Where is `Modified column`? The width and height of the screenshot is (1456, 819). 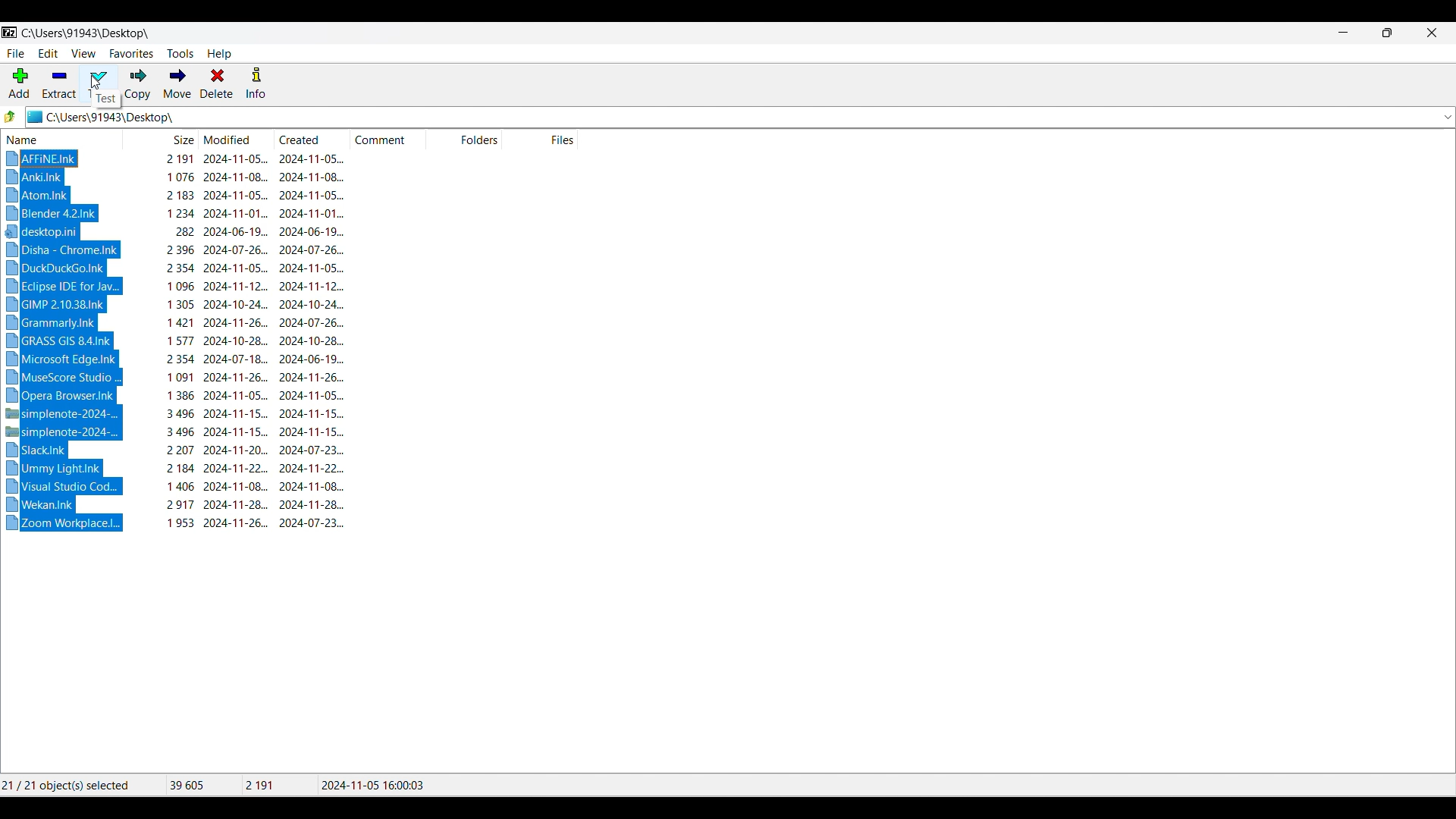 Modified column is located at coordinates (237, 139).